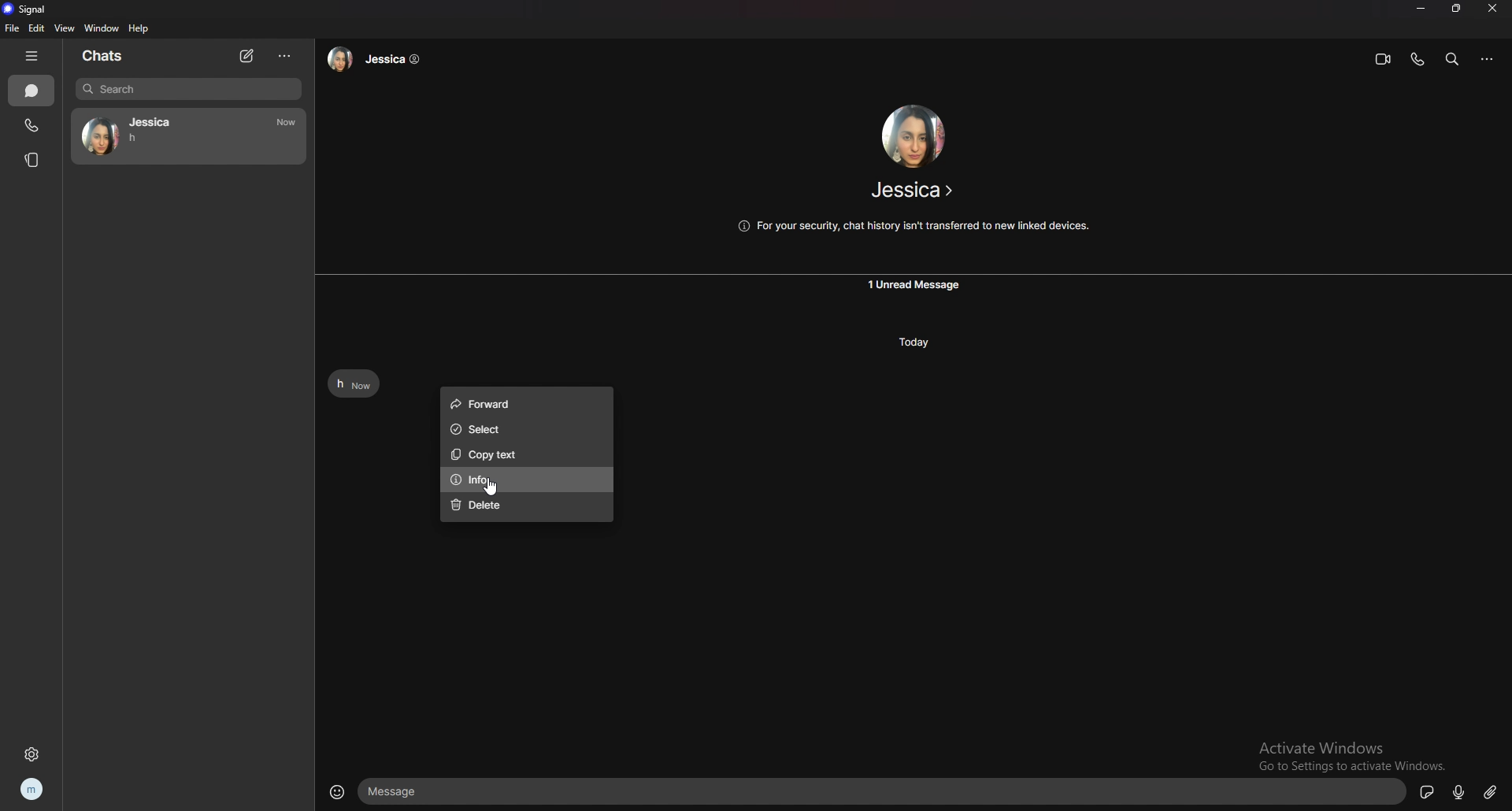  What do you see at coordinates (247, 56) in the screenshot?
I see `new chat` at bounding box center [247, 56].